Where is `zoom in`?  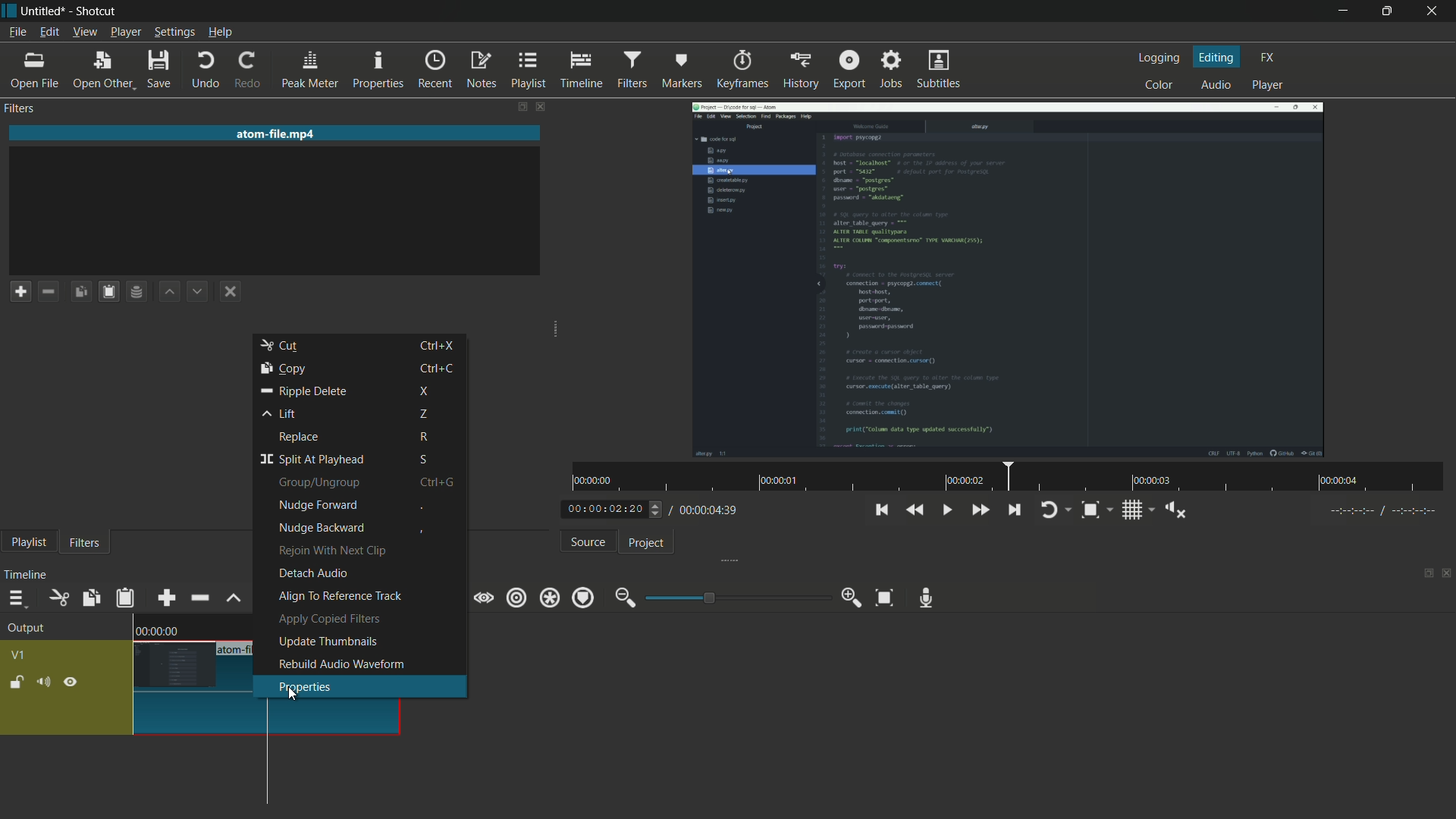 zoom in is located at coordinates (853, 597).